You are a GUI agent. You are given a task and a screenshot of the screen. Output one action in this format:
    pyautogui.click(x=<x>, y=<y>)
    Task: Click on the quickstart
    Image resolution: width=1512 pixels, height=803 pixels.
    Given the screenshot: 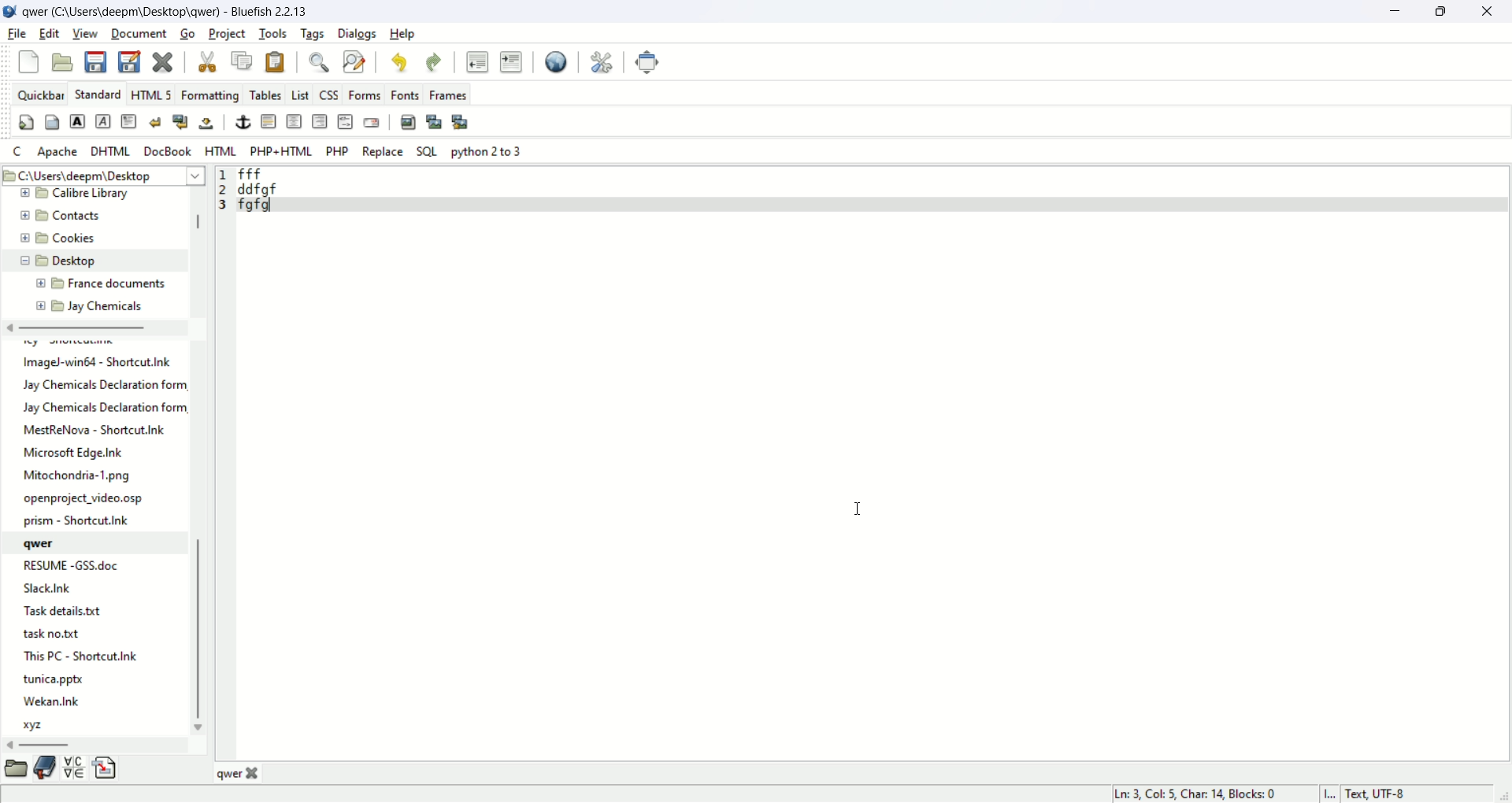 What is the action you would take?
    pyautogui.click(x=28, y=122)
    